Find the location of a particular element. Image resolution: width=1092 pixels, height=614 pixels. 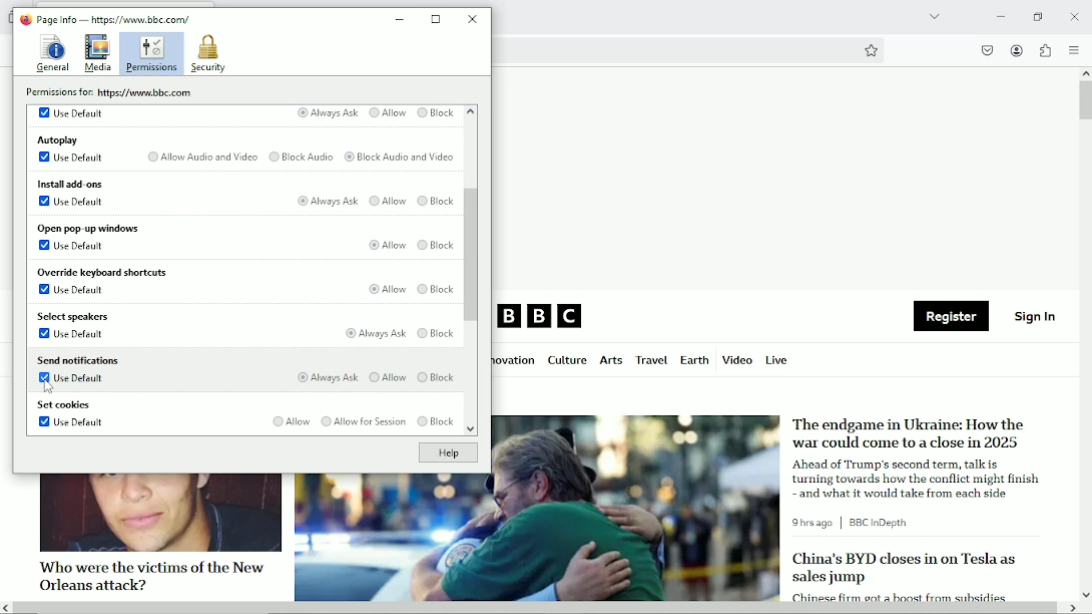

scroll down is located at coordinates (469, 431).